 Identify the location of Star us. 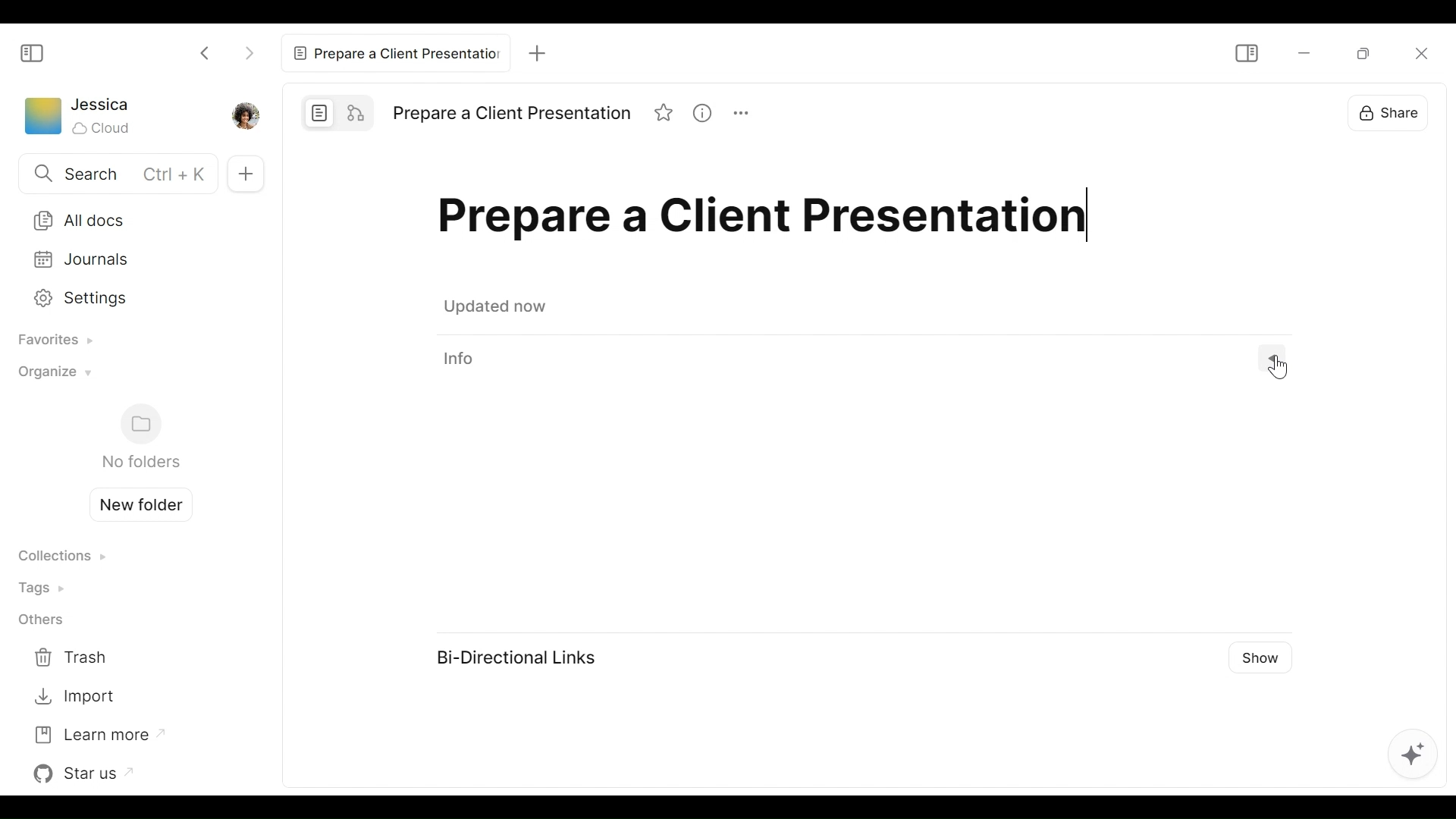
(87, 773).